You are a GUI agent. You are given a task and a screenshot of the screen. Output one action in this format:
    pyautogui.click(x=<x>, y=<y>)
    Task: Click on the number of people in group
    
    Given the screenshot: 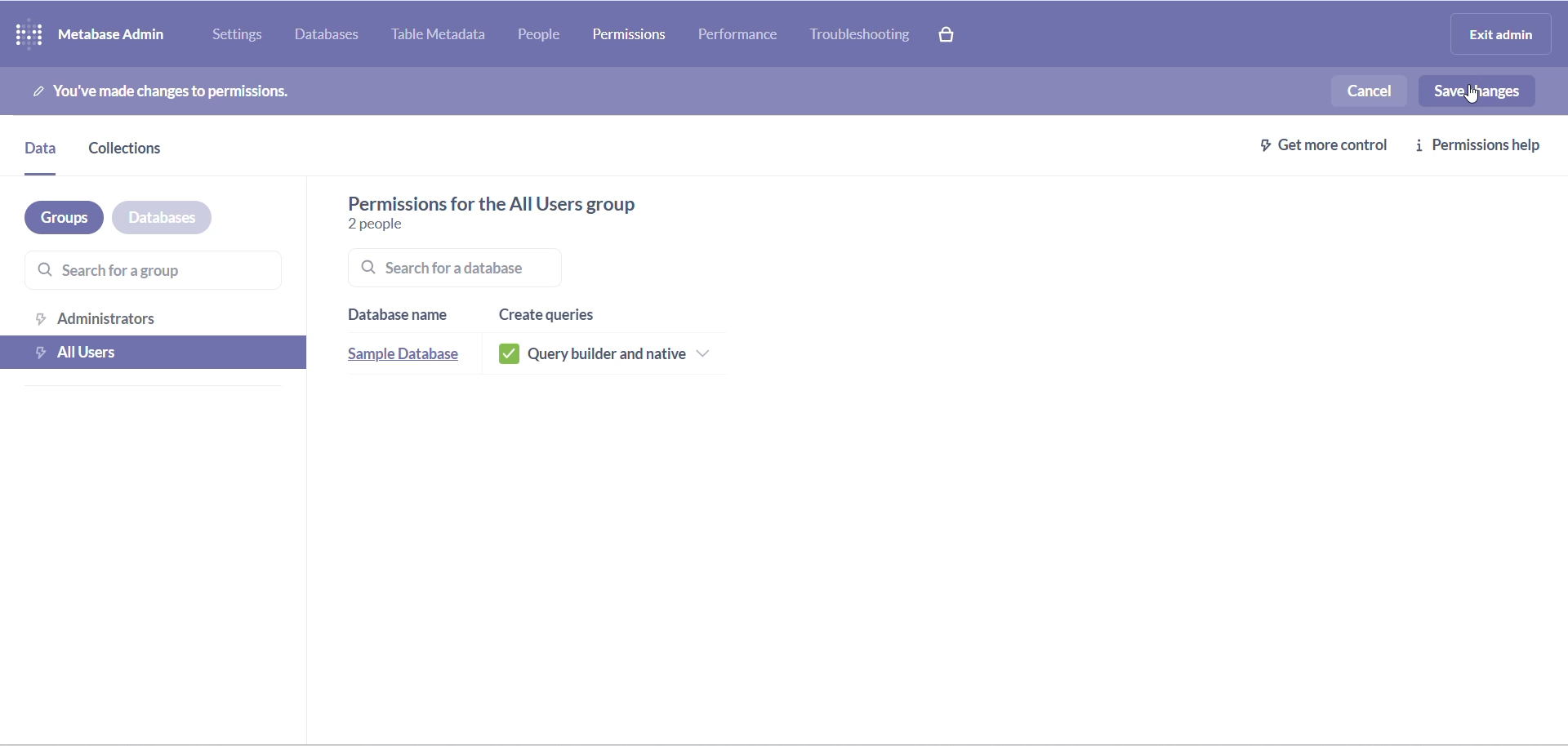 What is the action you would take?
    pyautogui.click(x=393, y=222)
    